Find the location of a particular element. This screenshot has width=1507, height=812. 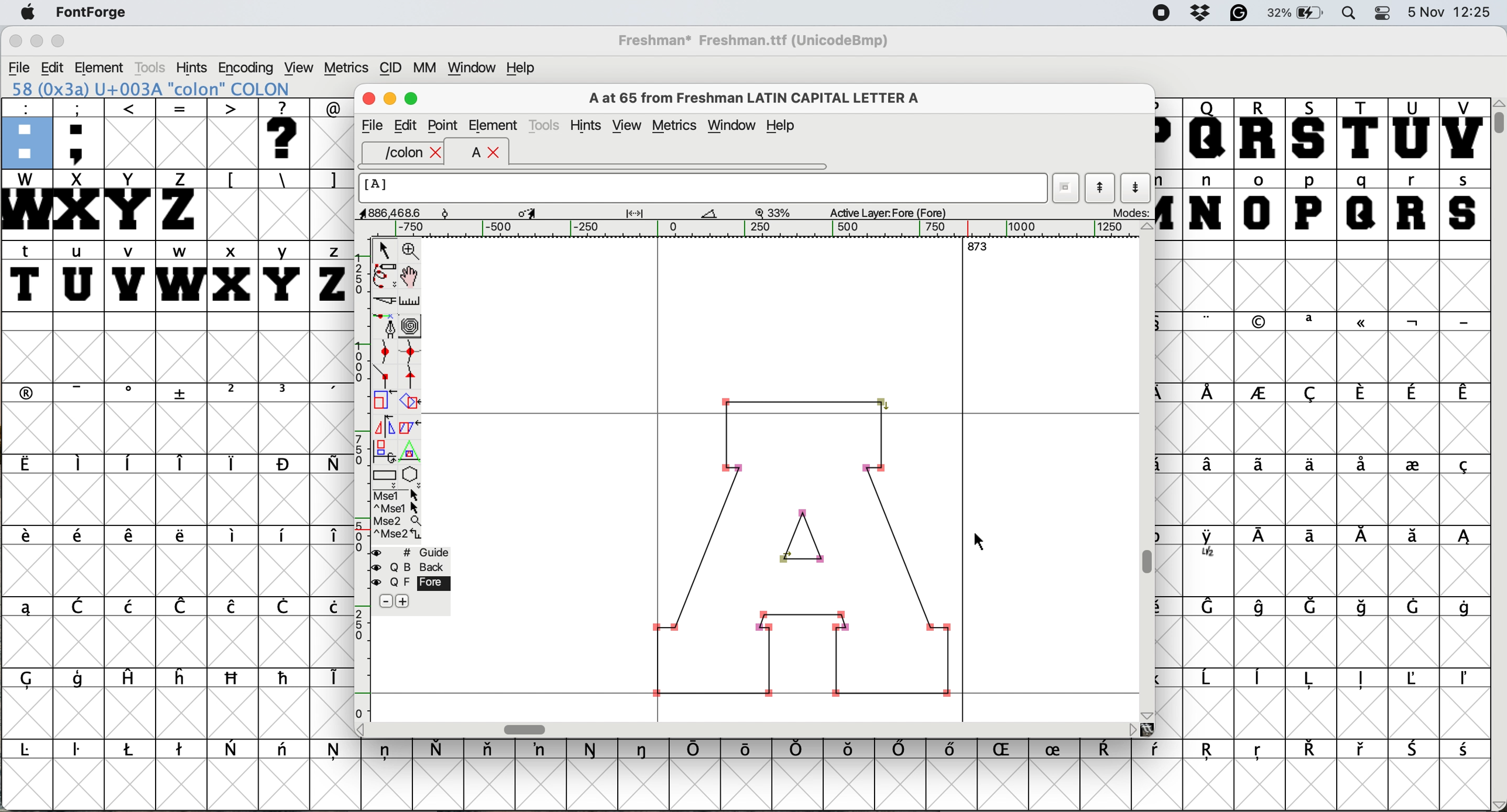

symbol is located at coordinates (329, 393).